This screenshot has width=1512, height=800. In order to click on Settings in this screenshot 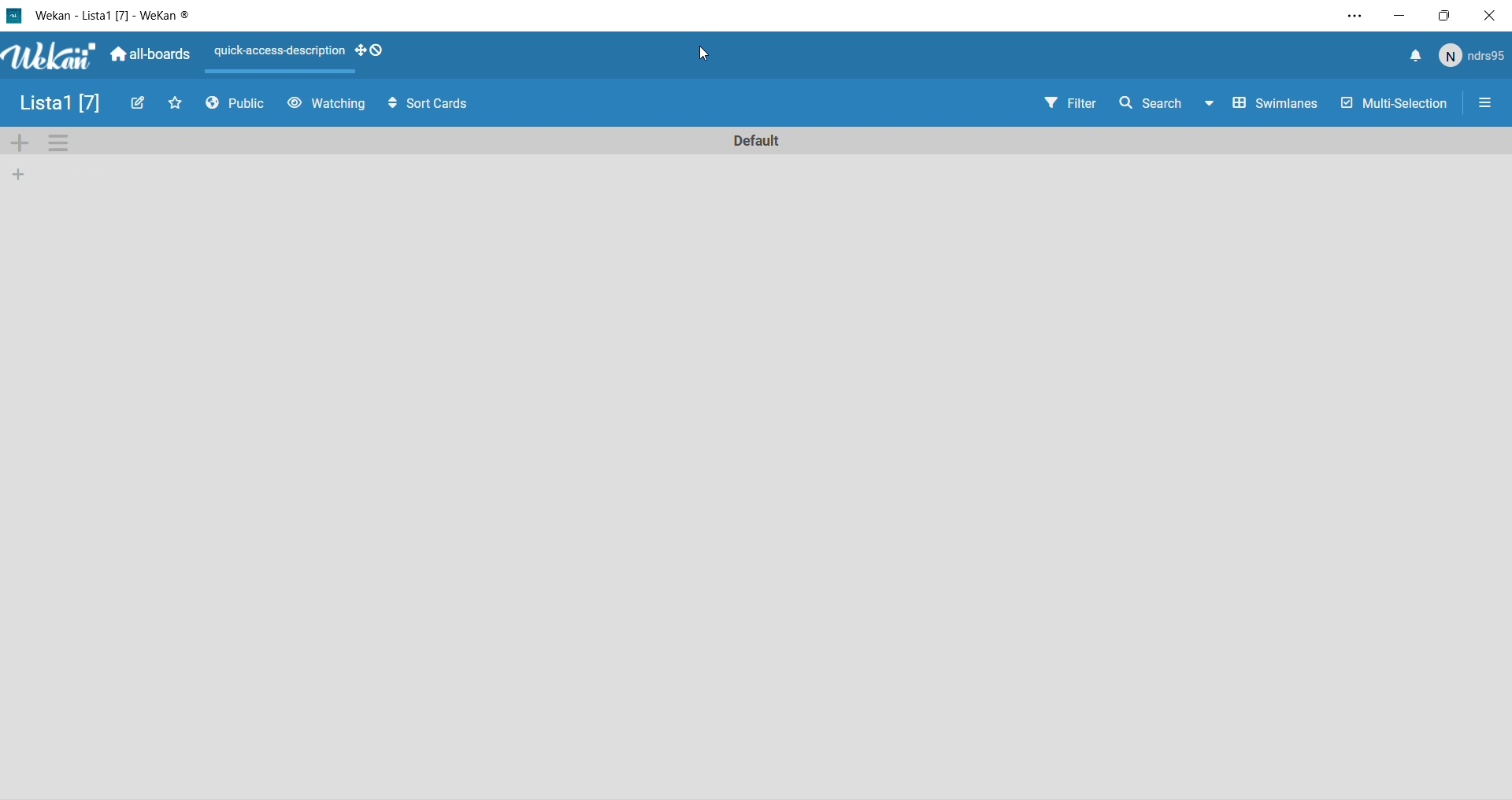, I will do `click(1488, 102)`.